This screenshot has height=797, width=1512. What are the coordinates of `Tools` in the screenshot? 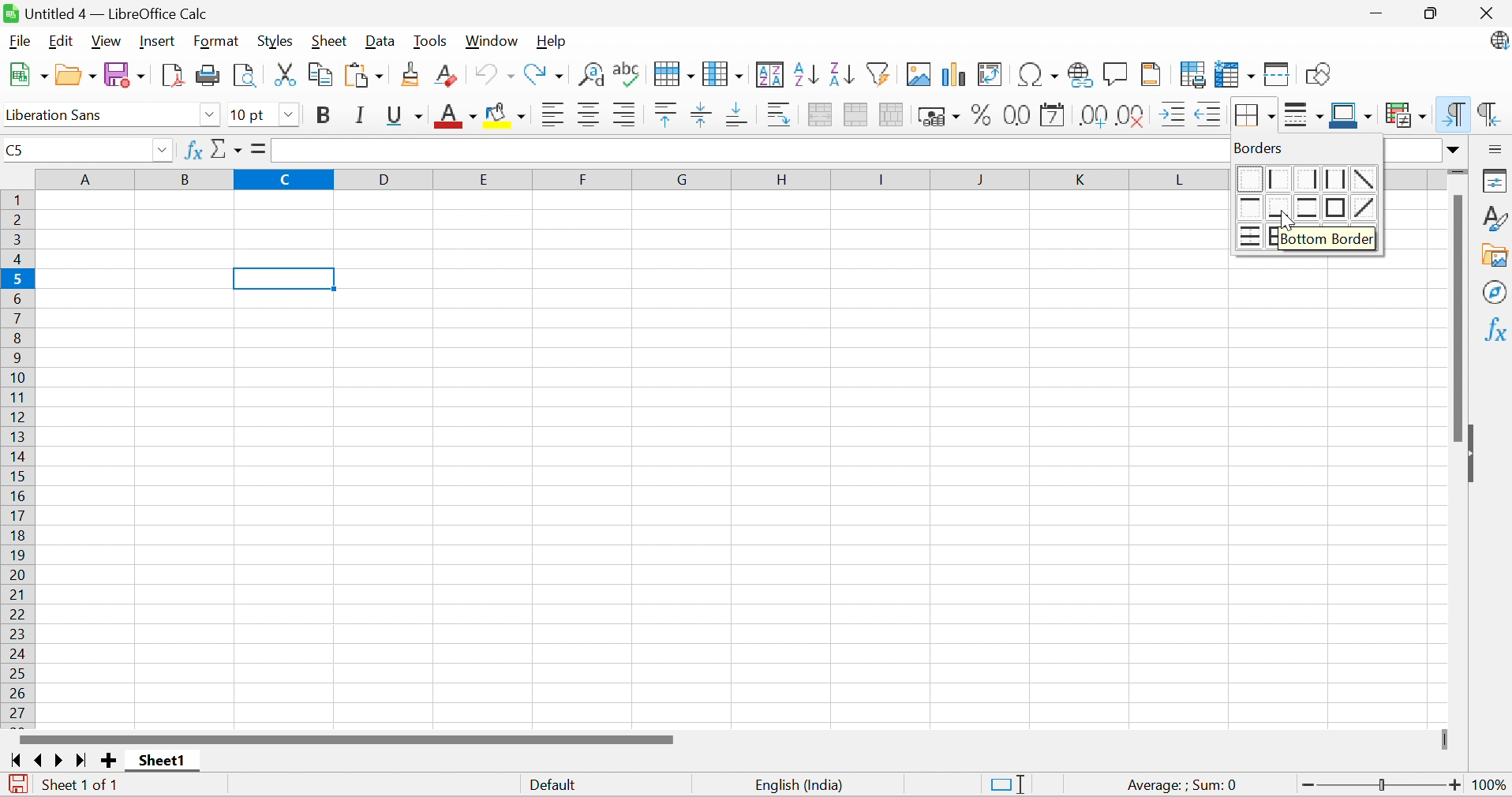 It's located at (430, 42).